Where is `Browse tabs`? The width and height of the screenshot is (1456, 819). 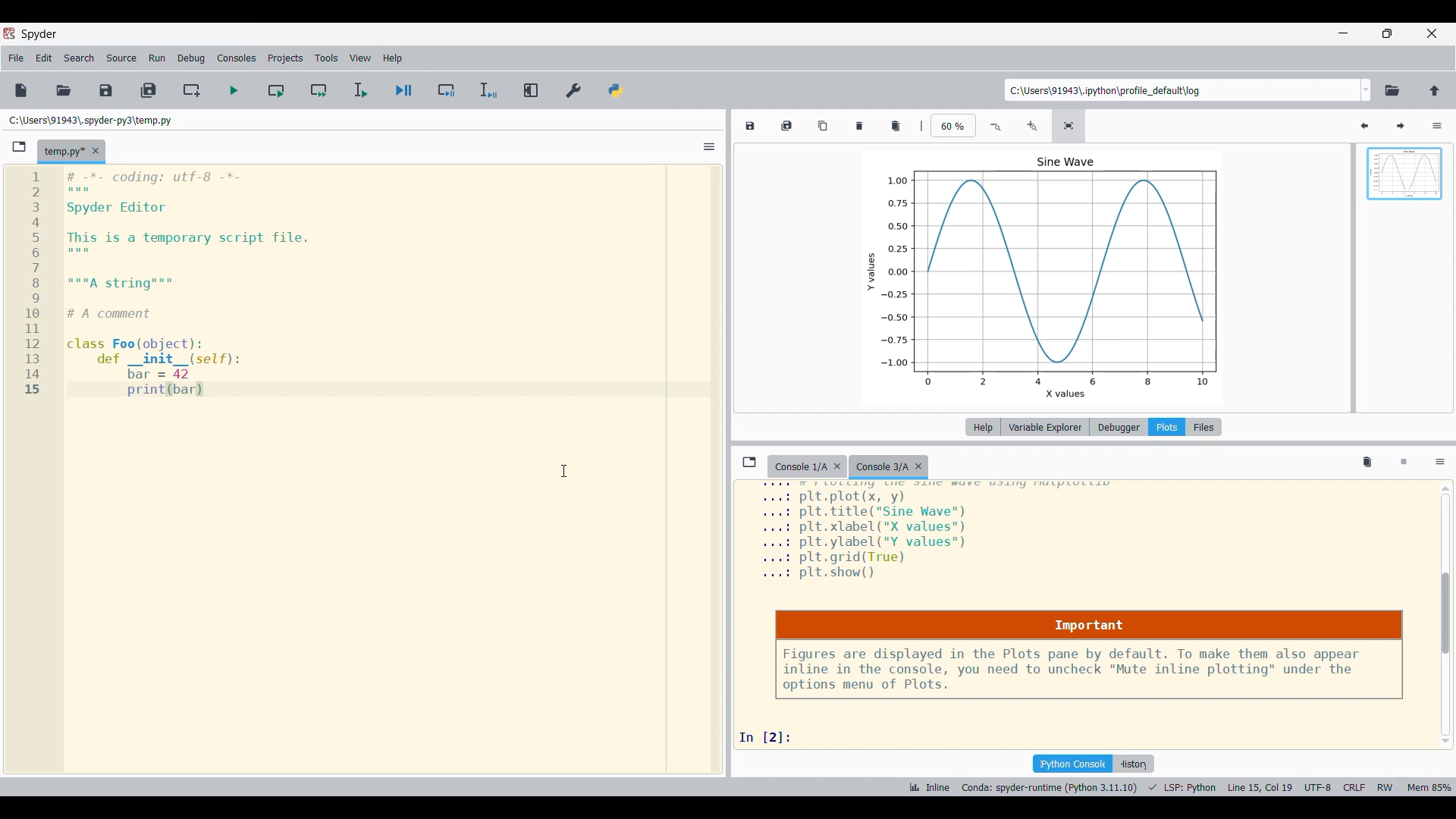
Browse tabs is located at coordinates (749, 462).